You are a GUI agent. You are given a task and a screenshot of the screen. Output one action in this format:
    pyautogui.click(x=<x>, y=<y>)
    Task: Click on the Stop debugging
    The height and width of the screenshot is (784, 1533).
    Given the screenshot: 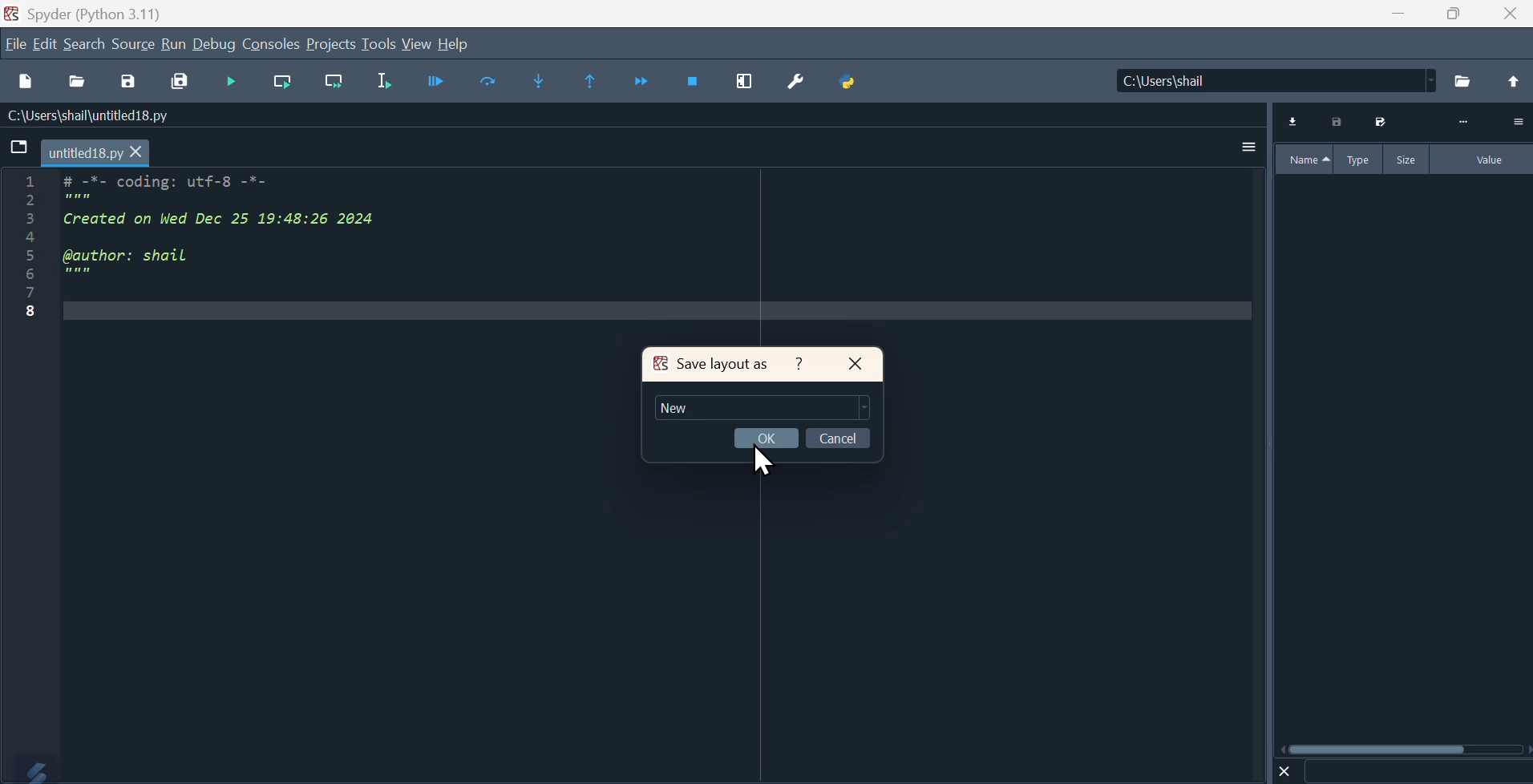 What is the action you would take?
    pyautogui.click(x=694, y=83)
    